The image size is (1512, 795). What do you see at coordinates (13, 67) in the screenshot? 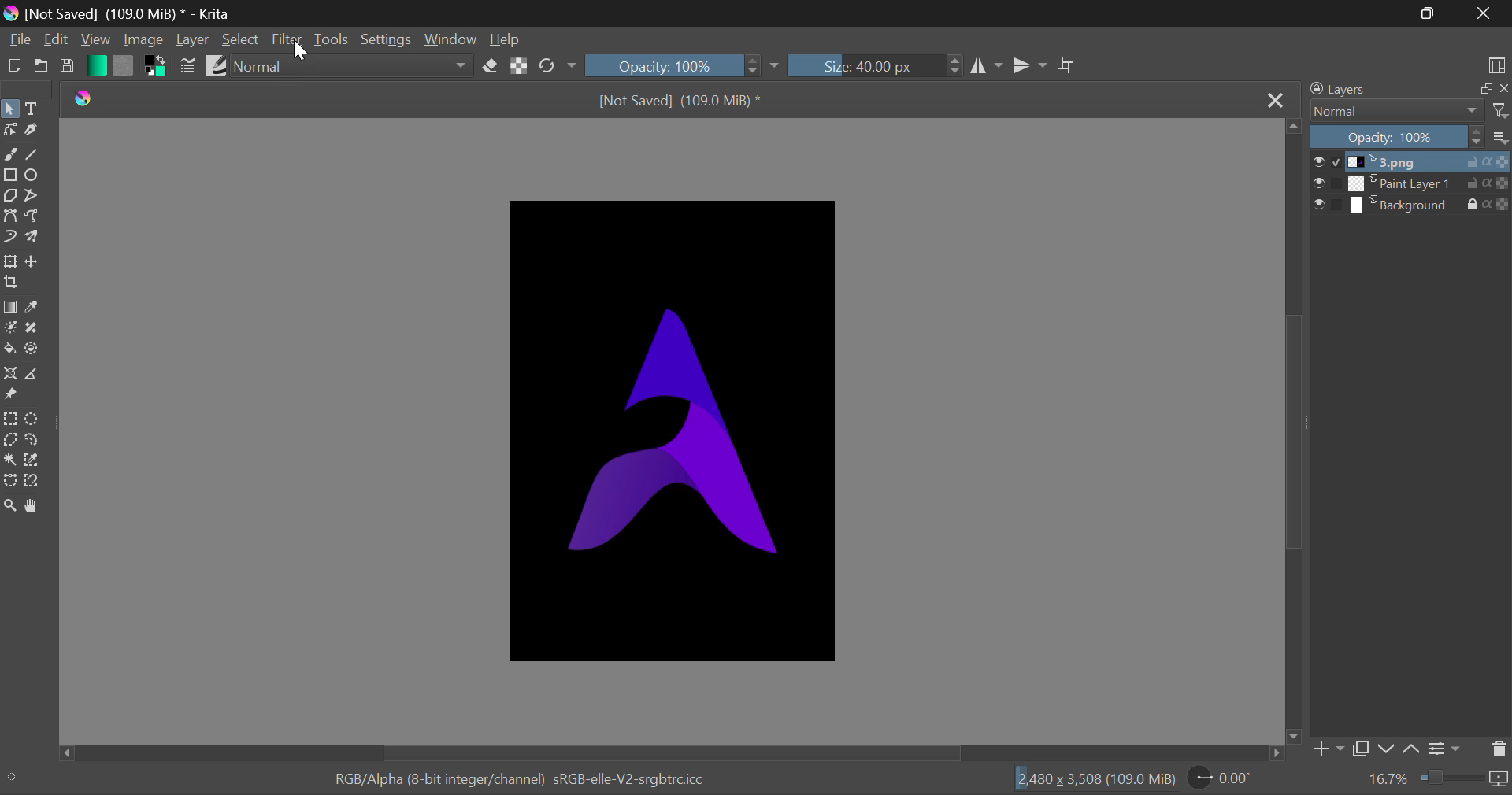
I see `New` at bounding box center [13, 67].